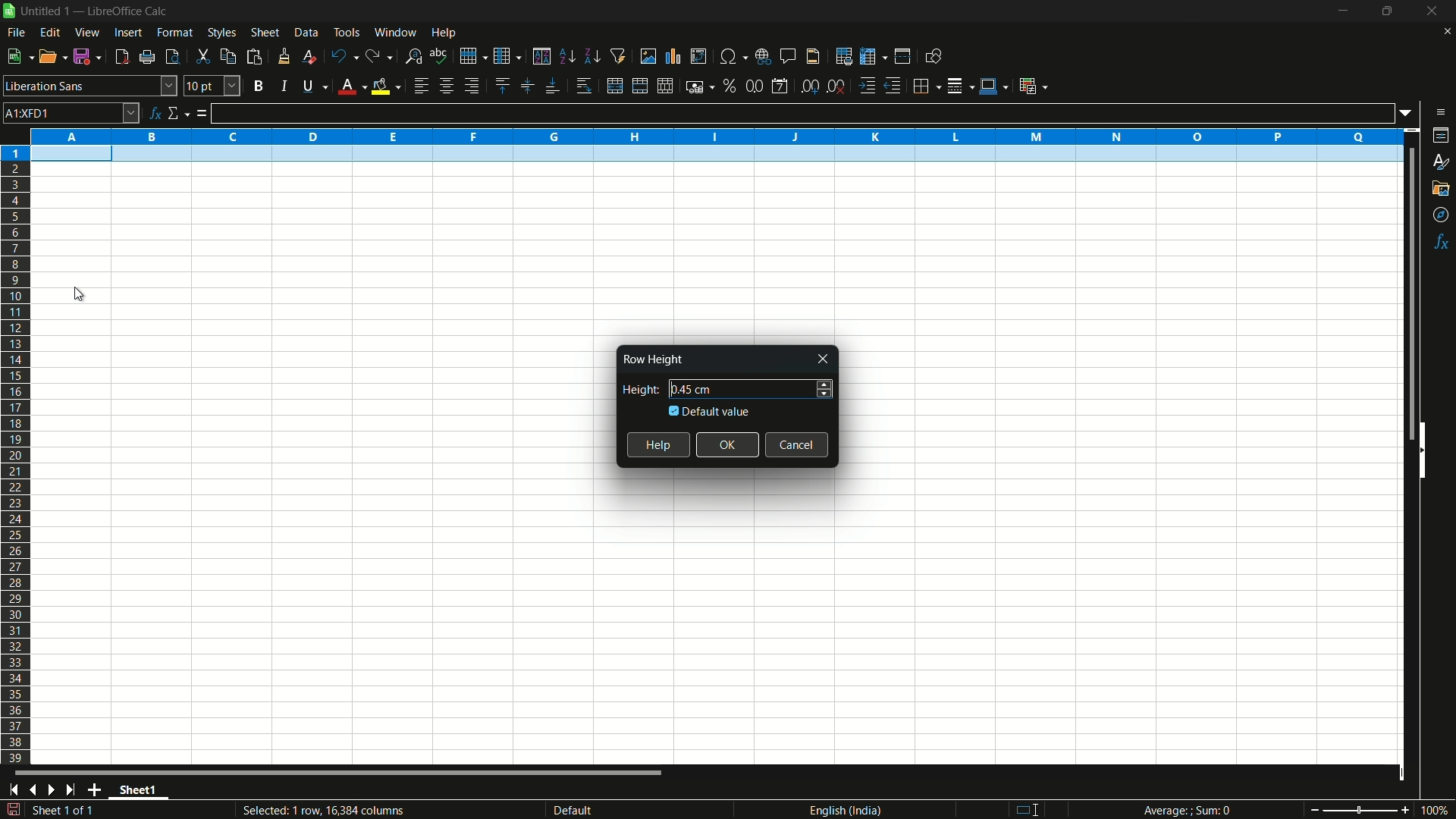  I want to click on save, so click(13, 810).